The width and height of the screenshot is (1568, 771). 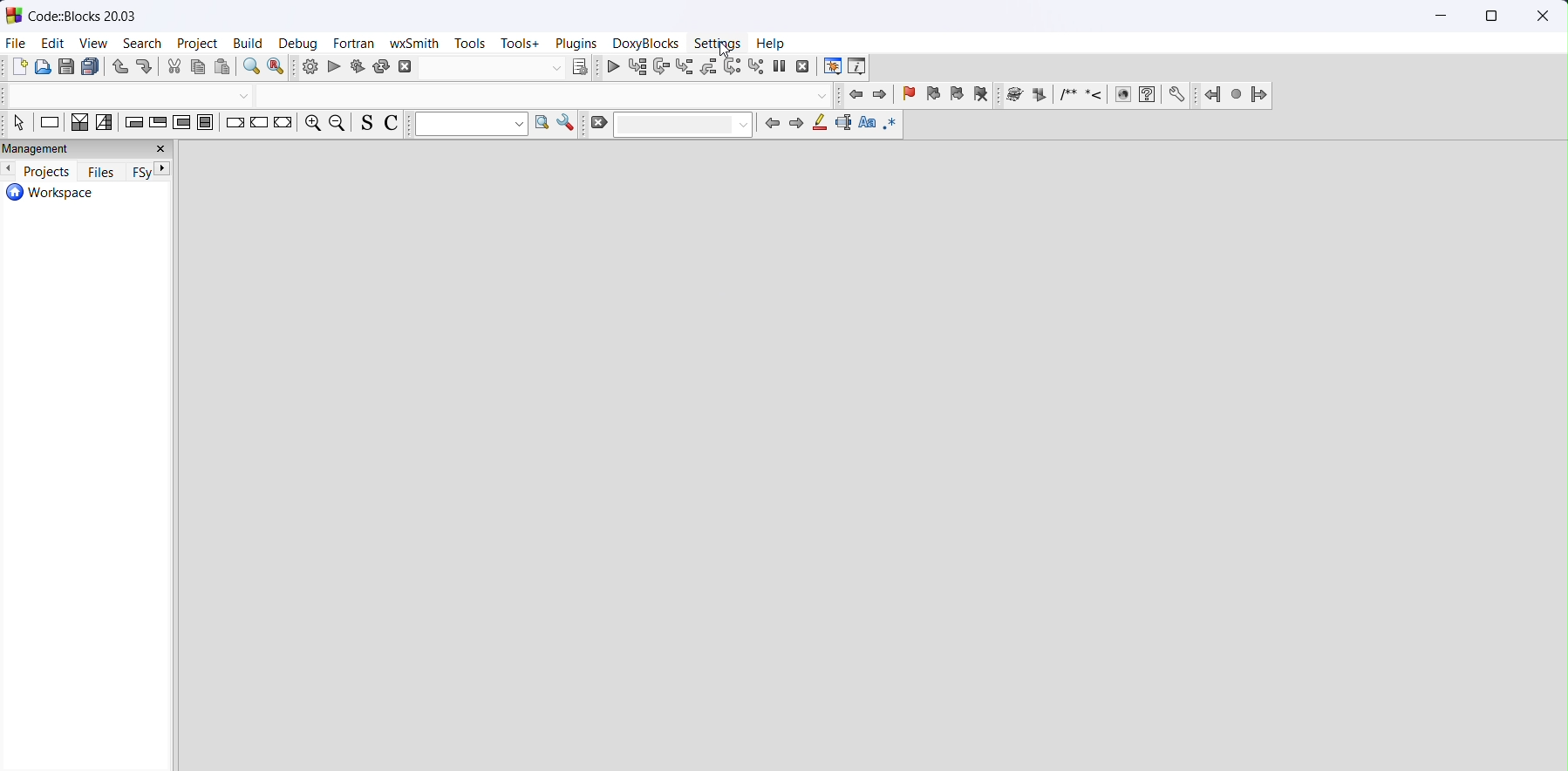 What do you see at coordinates (1237, 96) in the screenshot?
I see `fortranProject` at bounding box center [1237, 96].